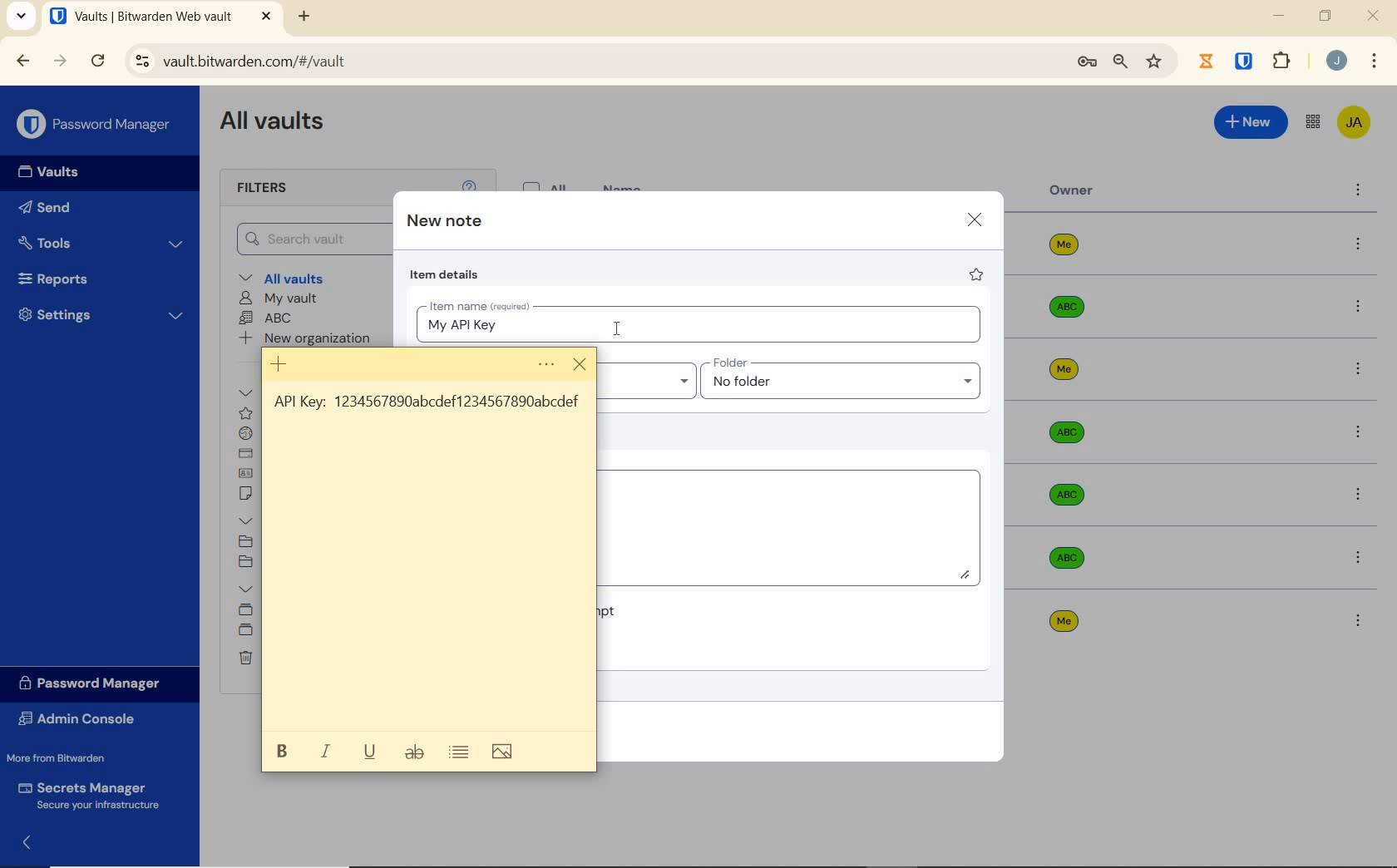 The height and width of the screenshot is (868, 1397). Describe the element at coordinates (101, 241) in the screenshot. I see `Tools` at that location.